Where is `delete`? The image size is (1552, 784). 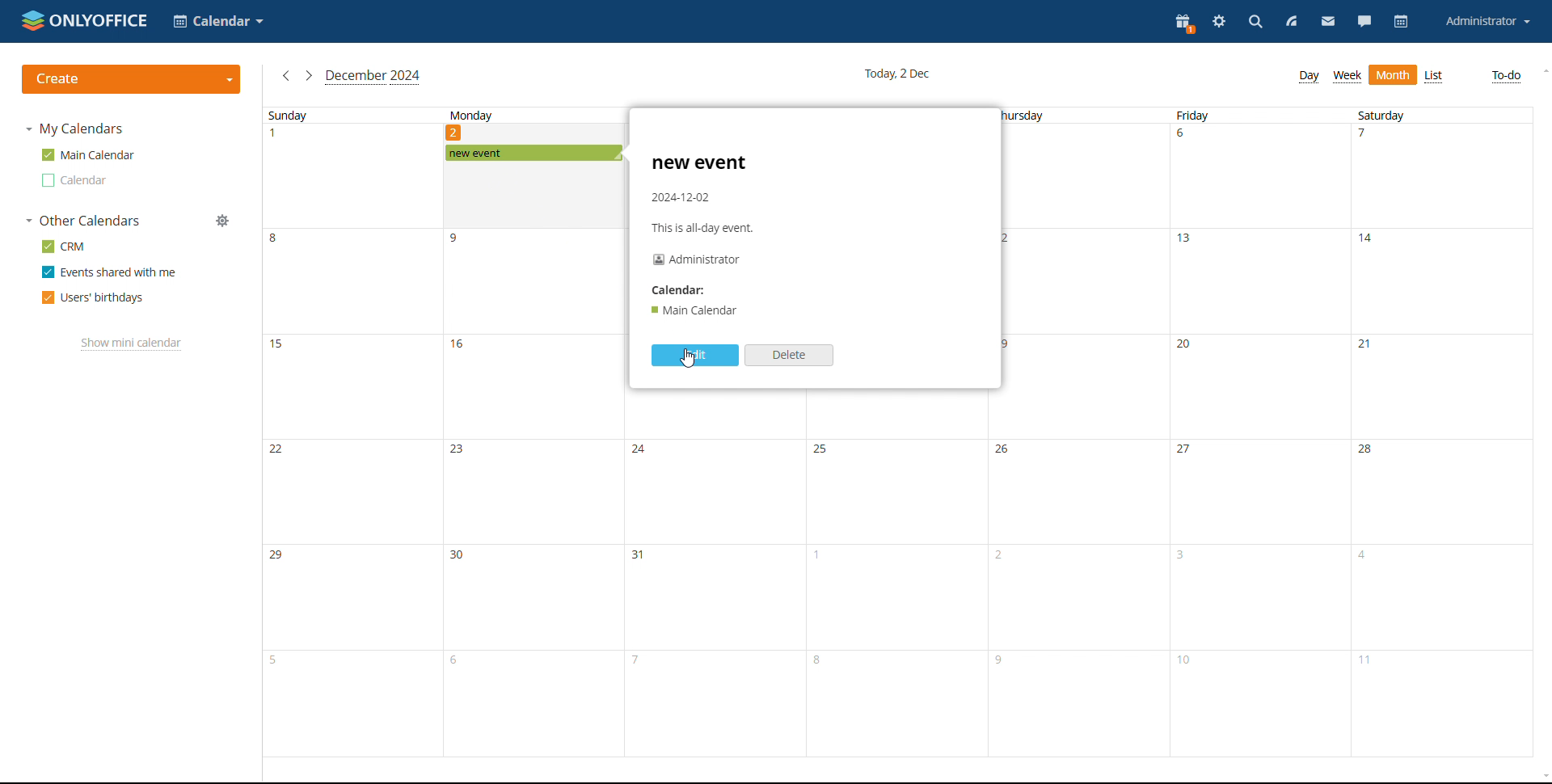
delete is located at coordinates (790, 355).